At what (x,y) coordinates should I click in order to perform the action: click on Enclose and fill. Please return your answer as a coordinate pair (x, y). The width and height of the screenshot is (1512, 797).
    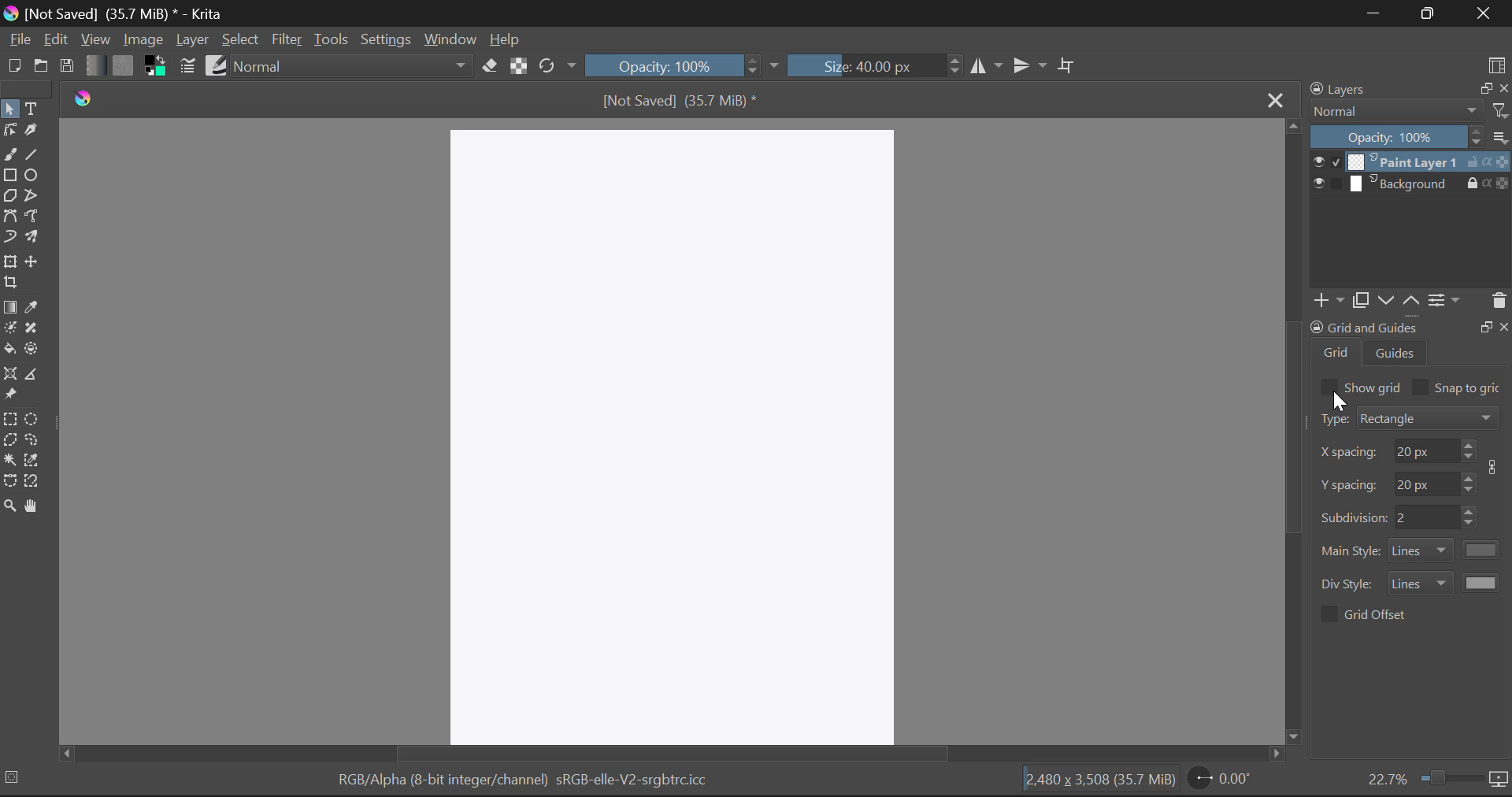
    Looking at the image, I should click on (34, 350).